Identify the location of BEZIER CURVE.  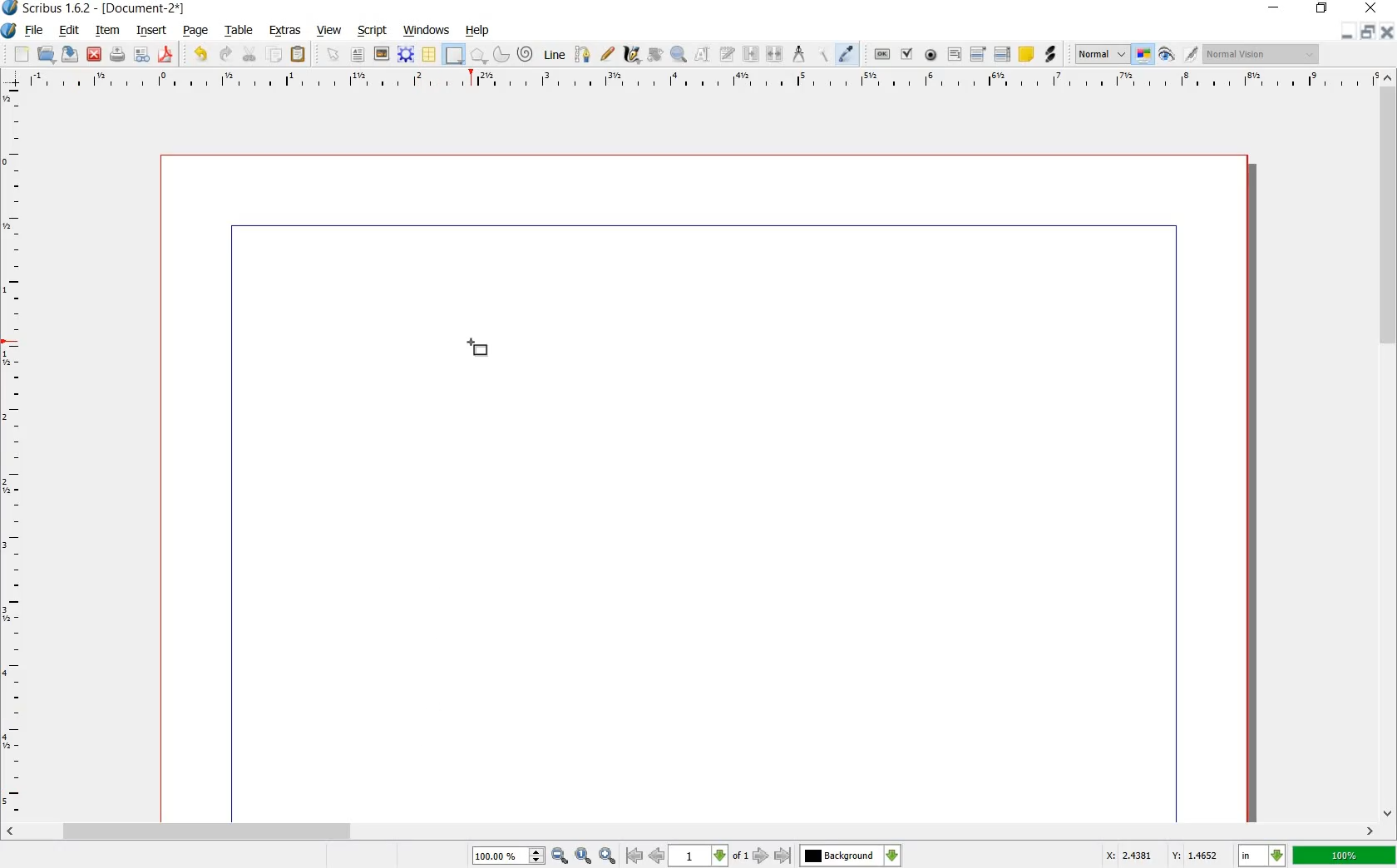
(585, 55).